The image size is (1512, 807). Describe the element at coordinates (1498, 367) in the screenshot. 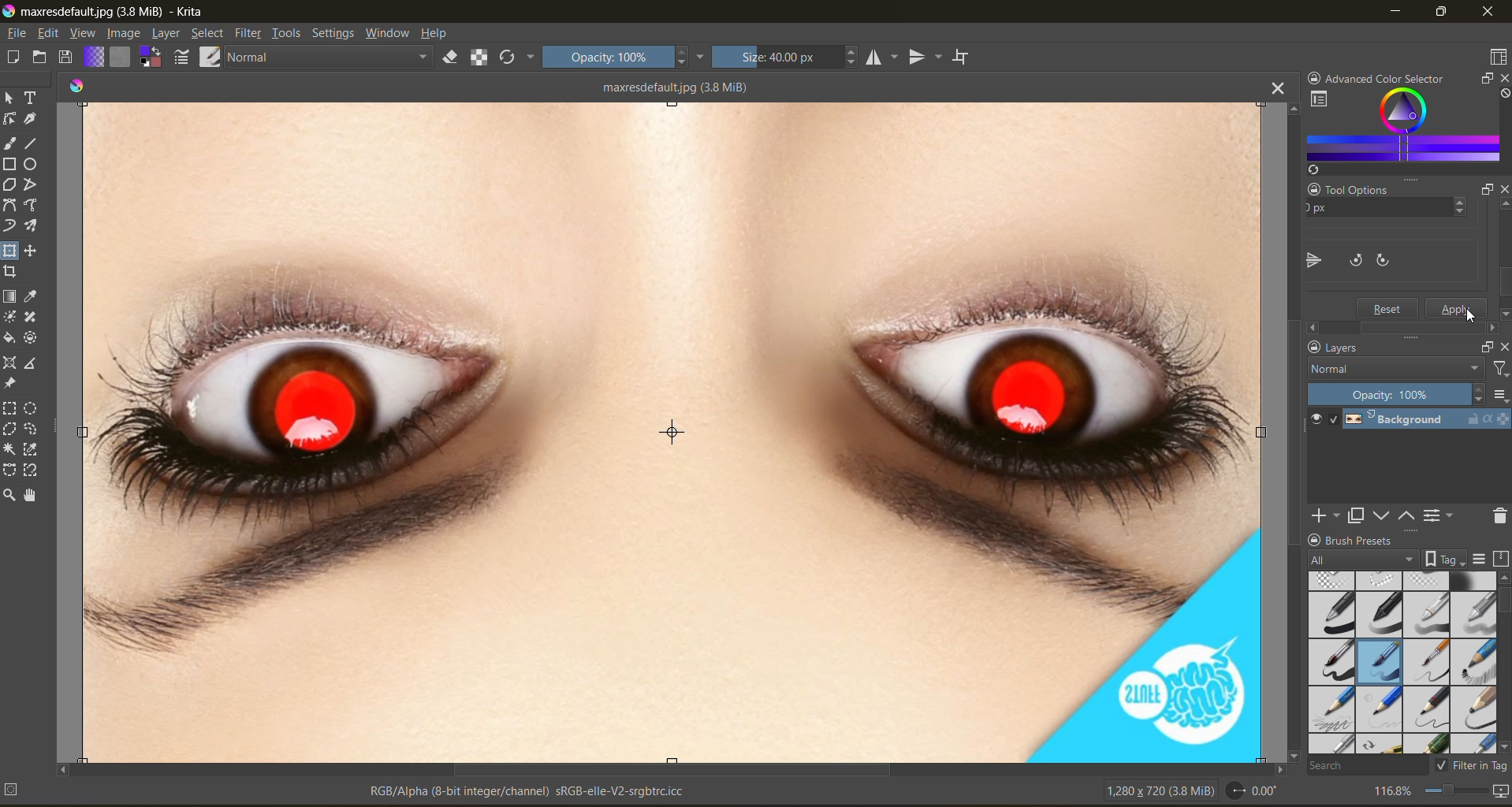

I see `filter` at that location.